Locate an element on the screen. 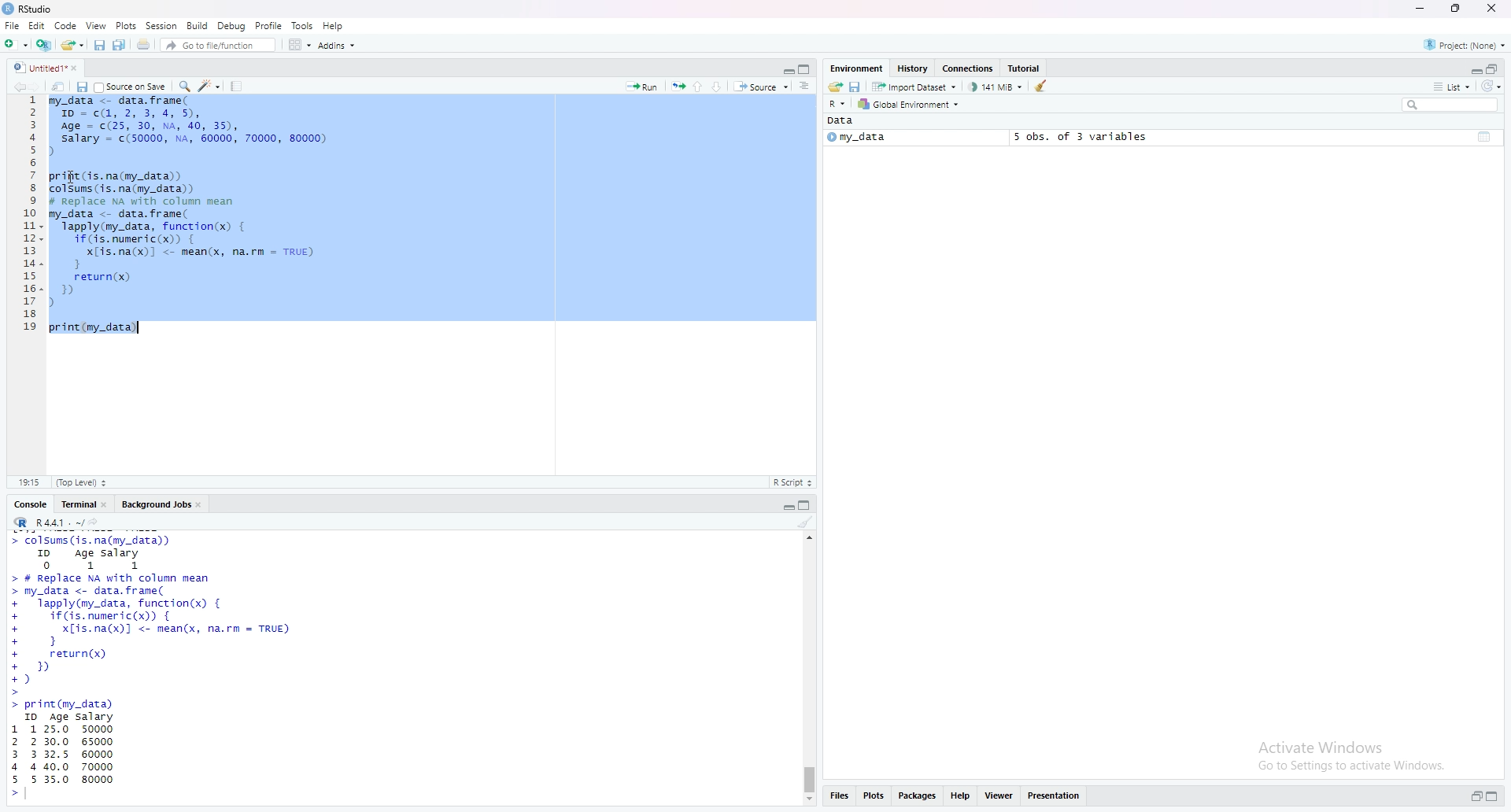 The height and width of the screenshot is (812, 1511). plots is located at coordinates (875, 795).